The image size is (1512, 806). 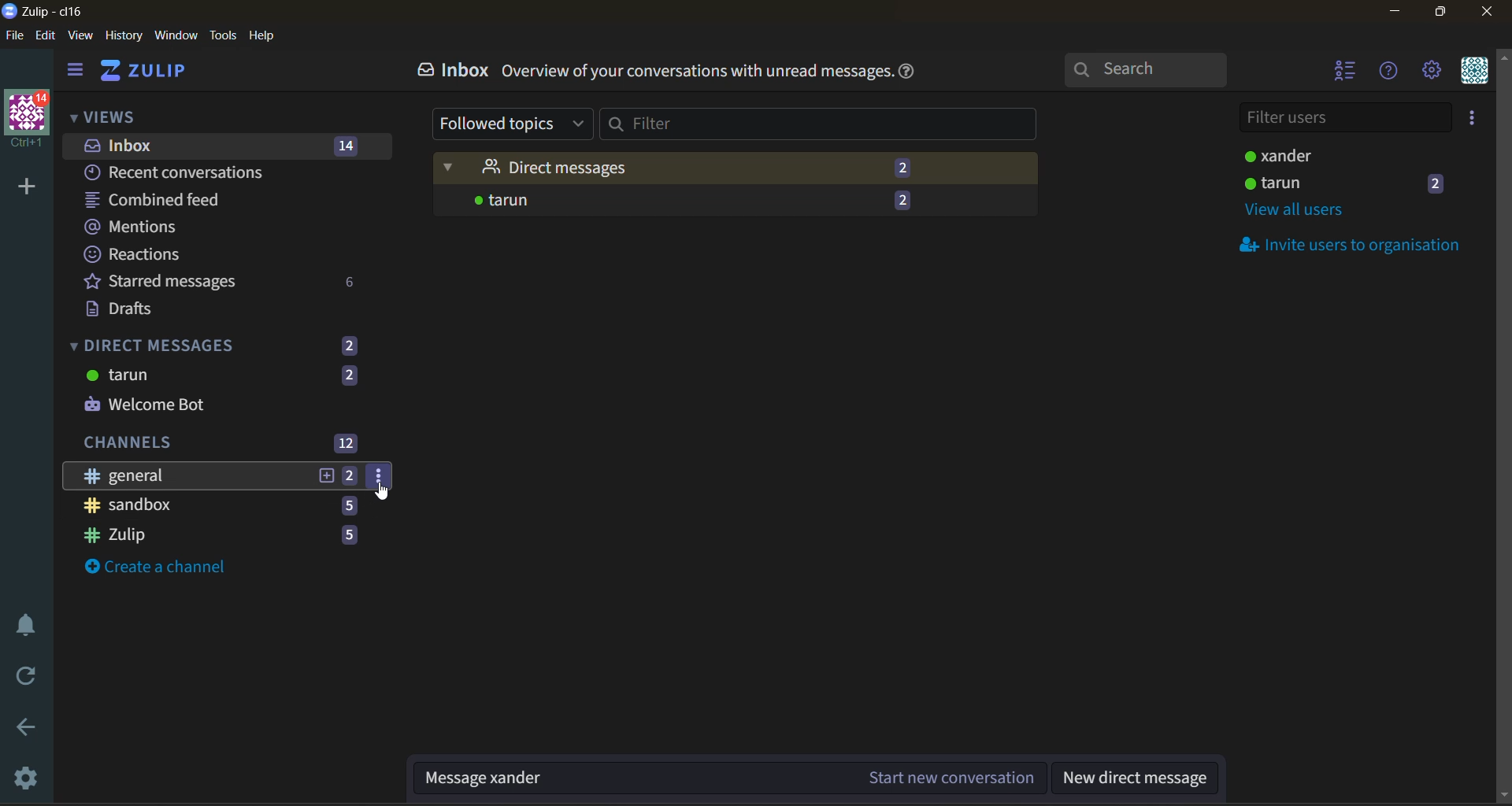 I want to click on user, so click(x=1354, y=186).